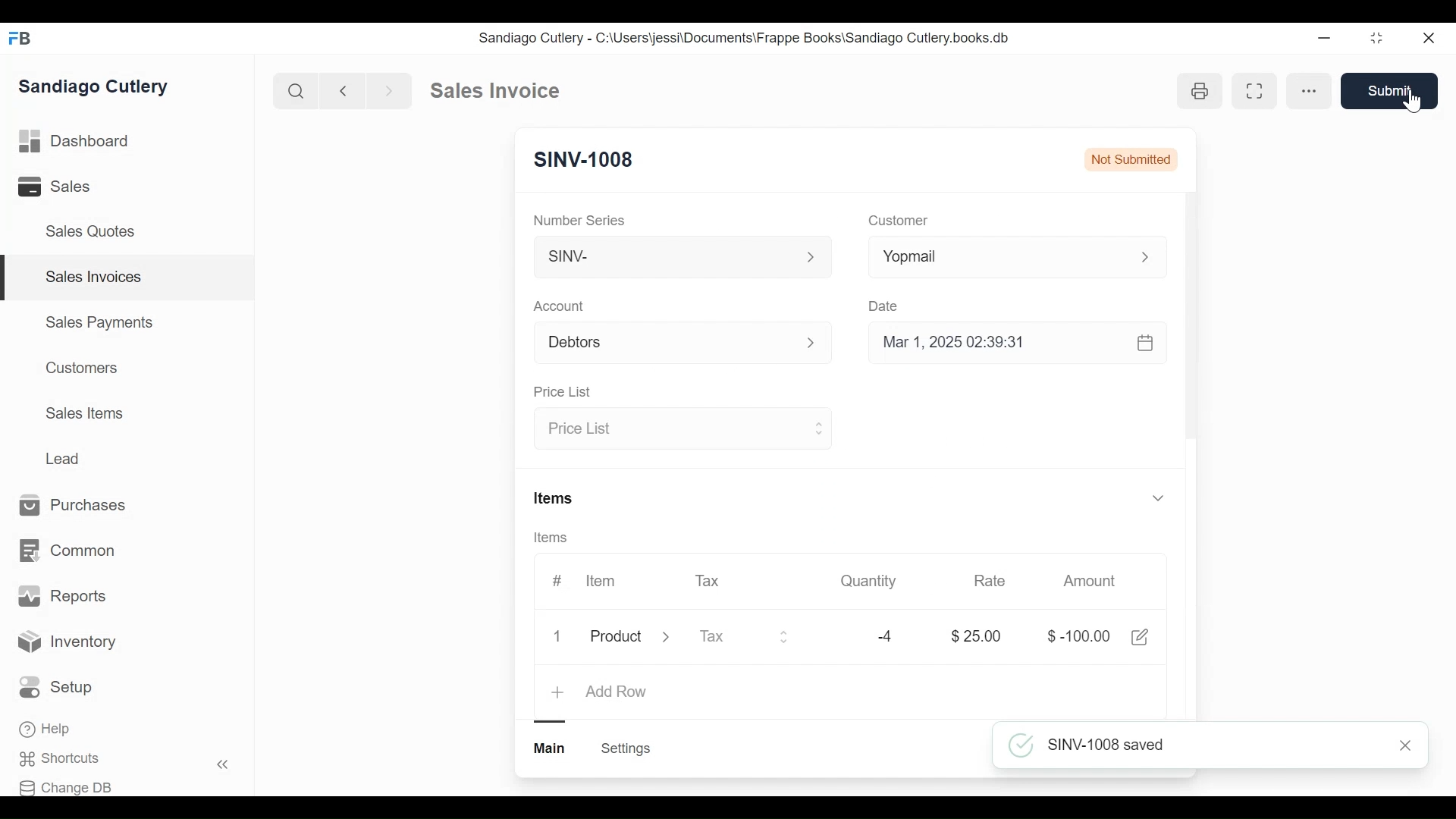 The width and height of the screenshot is (1456, 819). What do you see at coordinates (1389, 91) in the screenshot?
I see `Submit` at bounding box center [1389, 91].